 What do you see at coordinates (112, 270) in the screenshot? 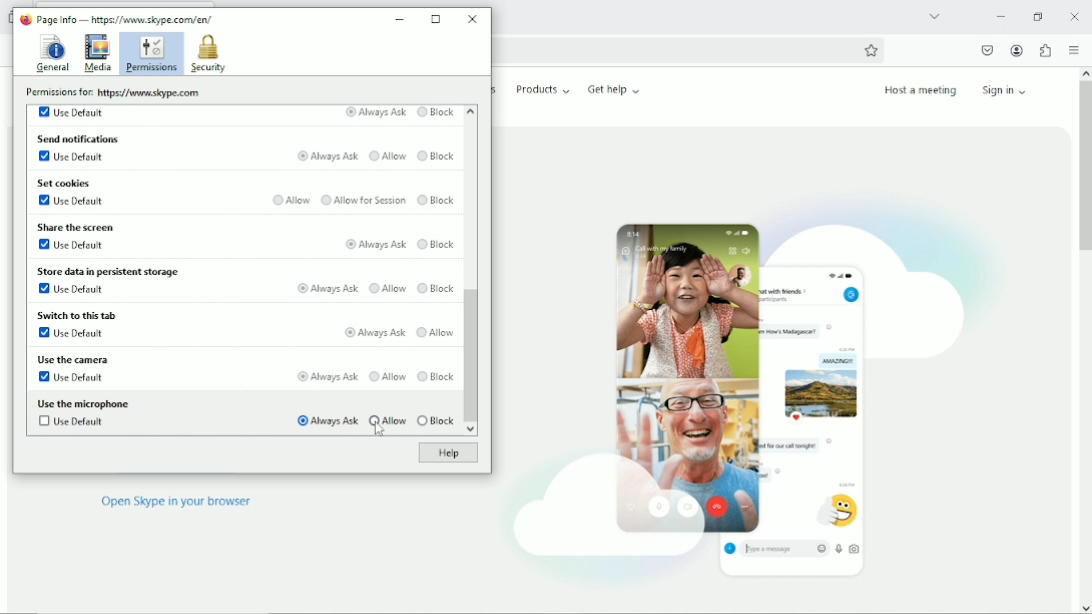
I see `Store data in persistent storage` at bounding box center [112, 270].